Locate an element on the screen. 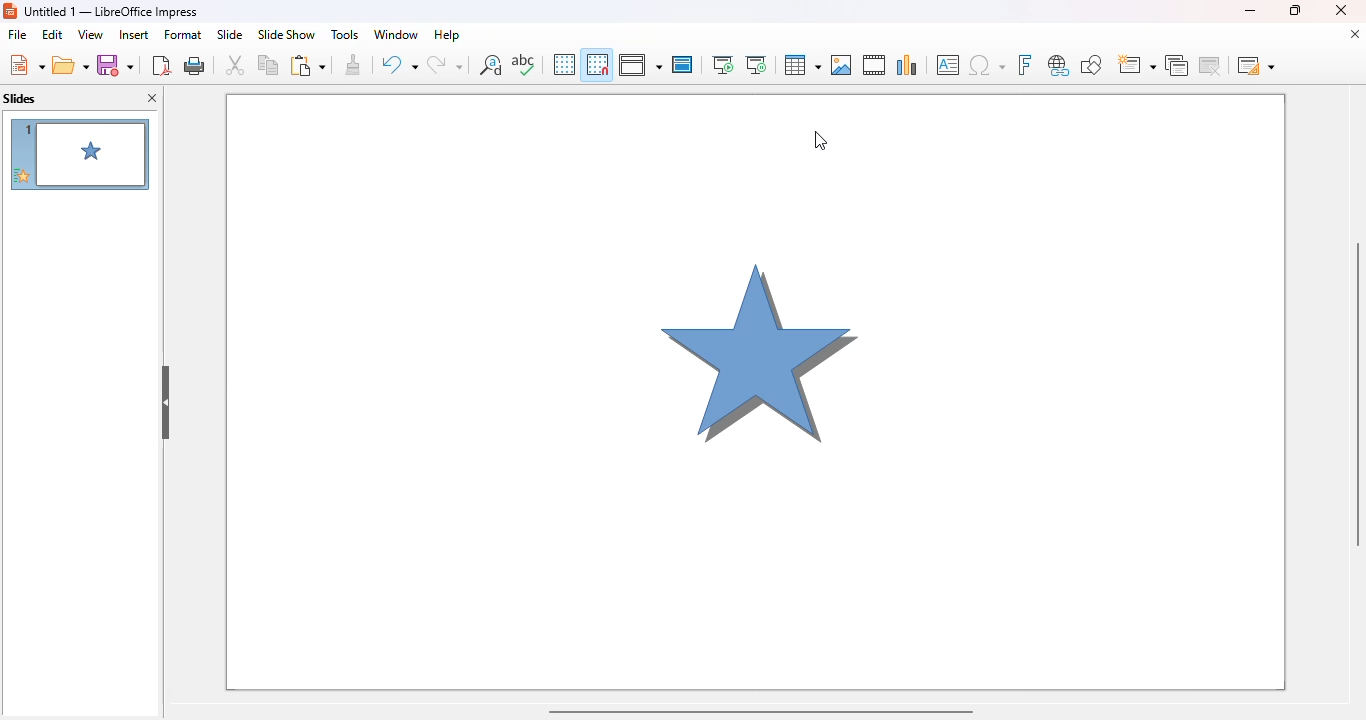 The height and width of the screenshot is (720, 1366). undo is located at coordinates (398, 65).